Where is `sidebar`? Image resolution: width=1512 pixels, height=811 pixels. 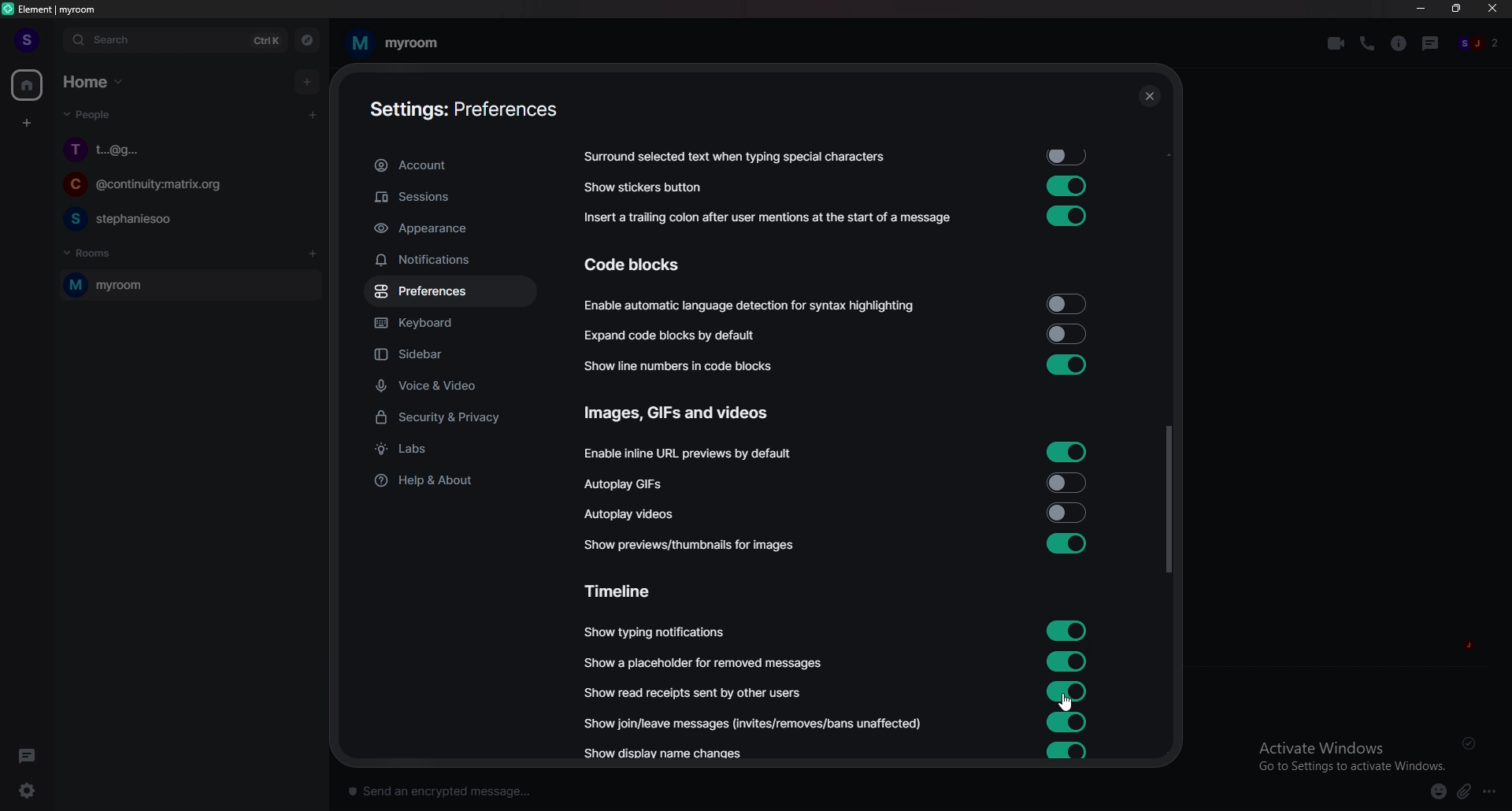
sidebar is located at coordinates (455, 356).